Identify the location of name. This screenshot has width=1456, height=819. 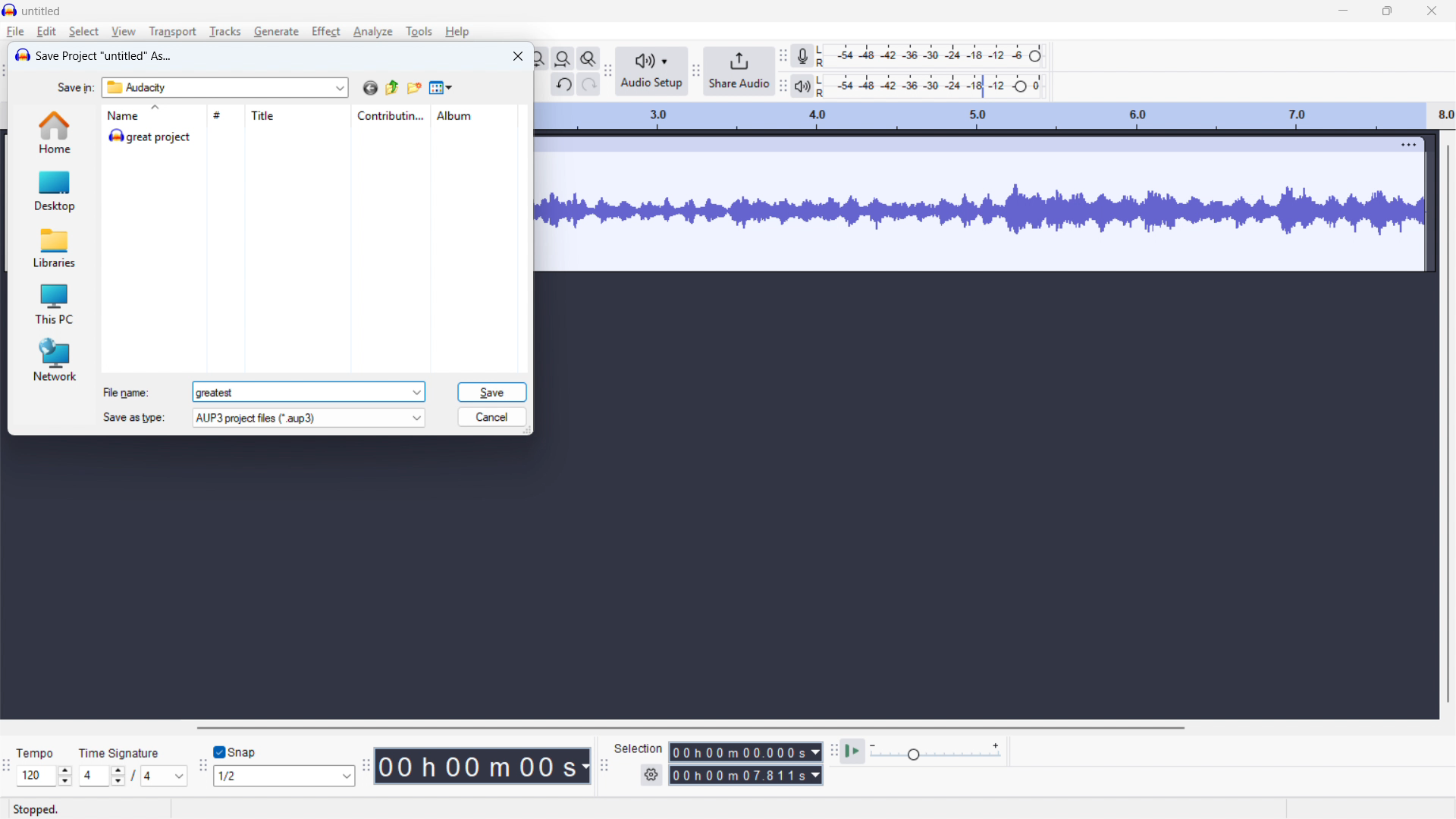
(152, 115).